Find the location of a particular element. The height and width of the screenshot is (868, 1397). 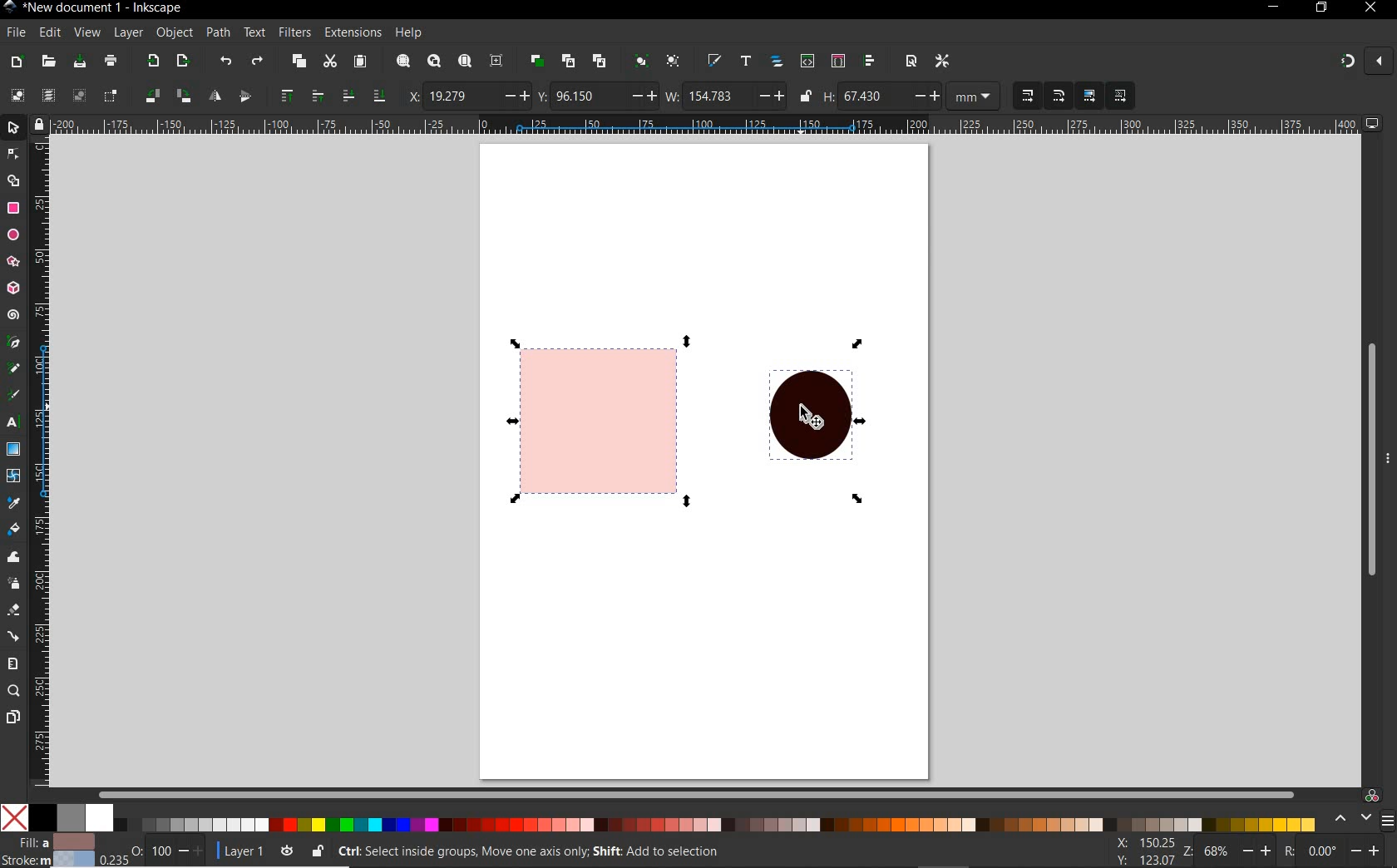

vertical coordinates  of selection is located at coordinates (597, 96).